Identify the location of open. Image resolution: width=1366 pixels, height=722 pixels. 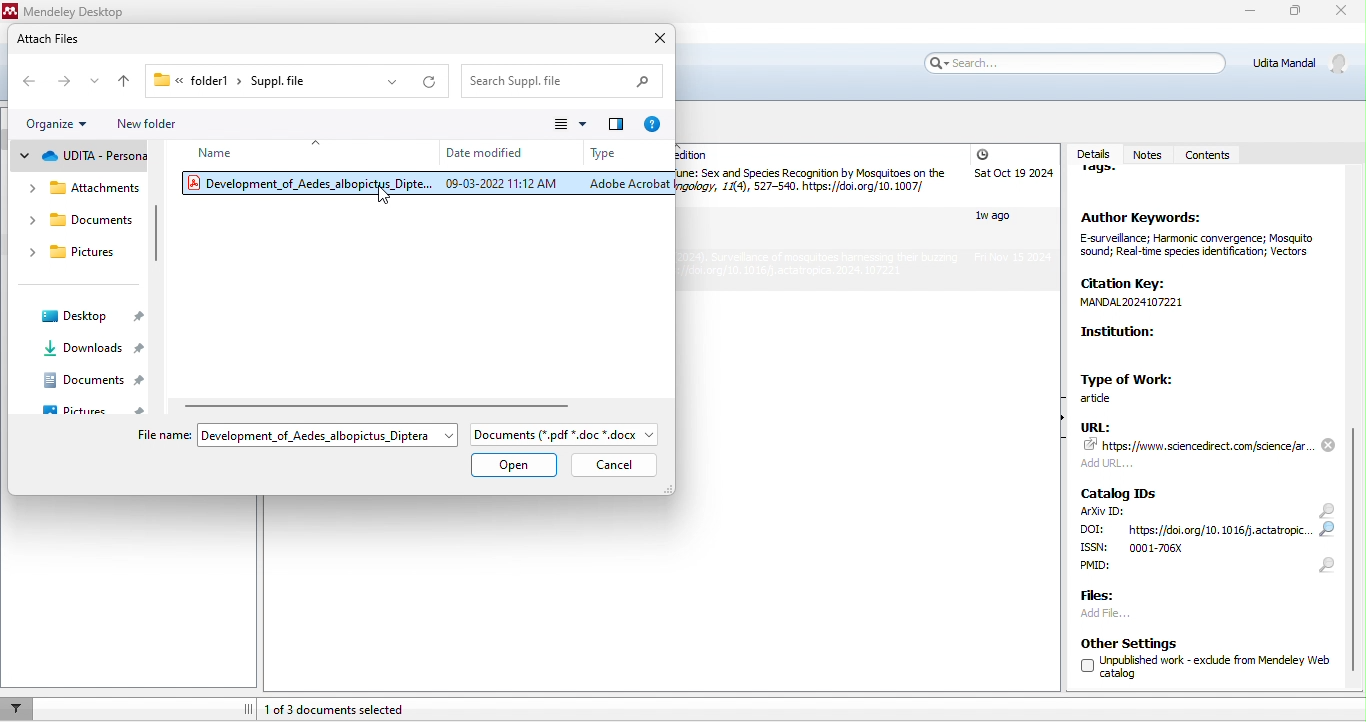
(515, 465).